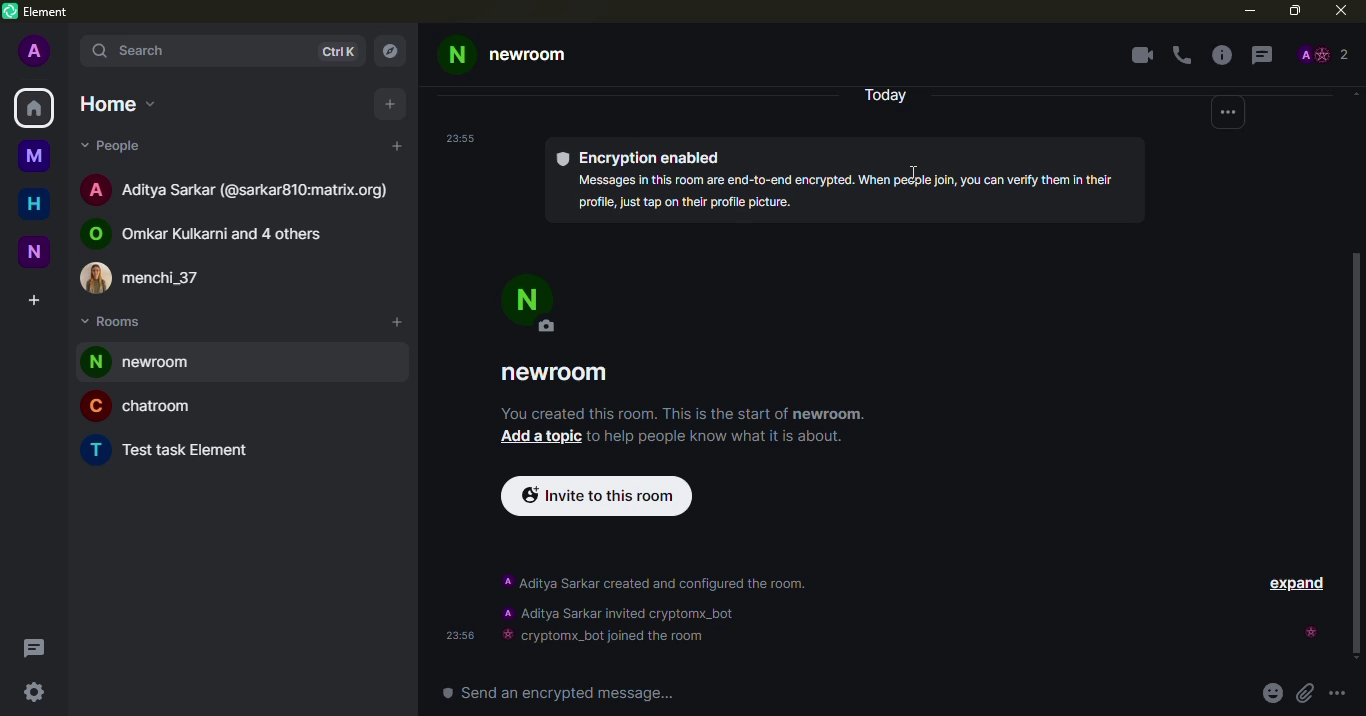  What do you see at coordinates (170, 450) in the screenshot?
I see `Test task Element` at bounding box center [170, 450].